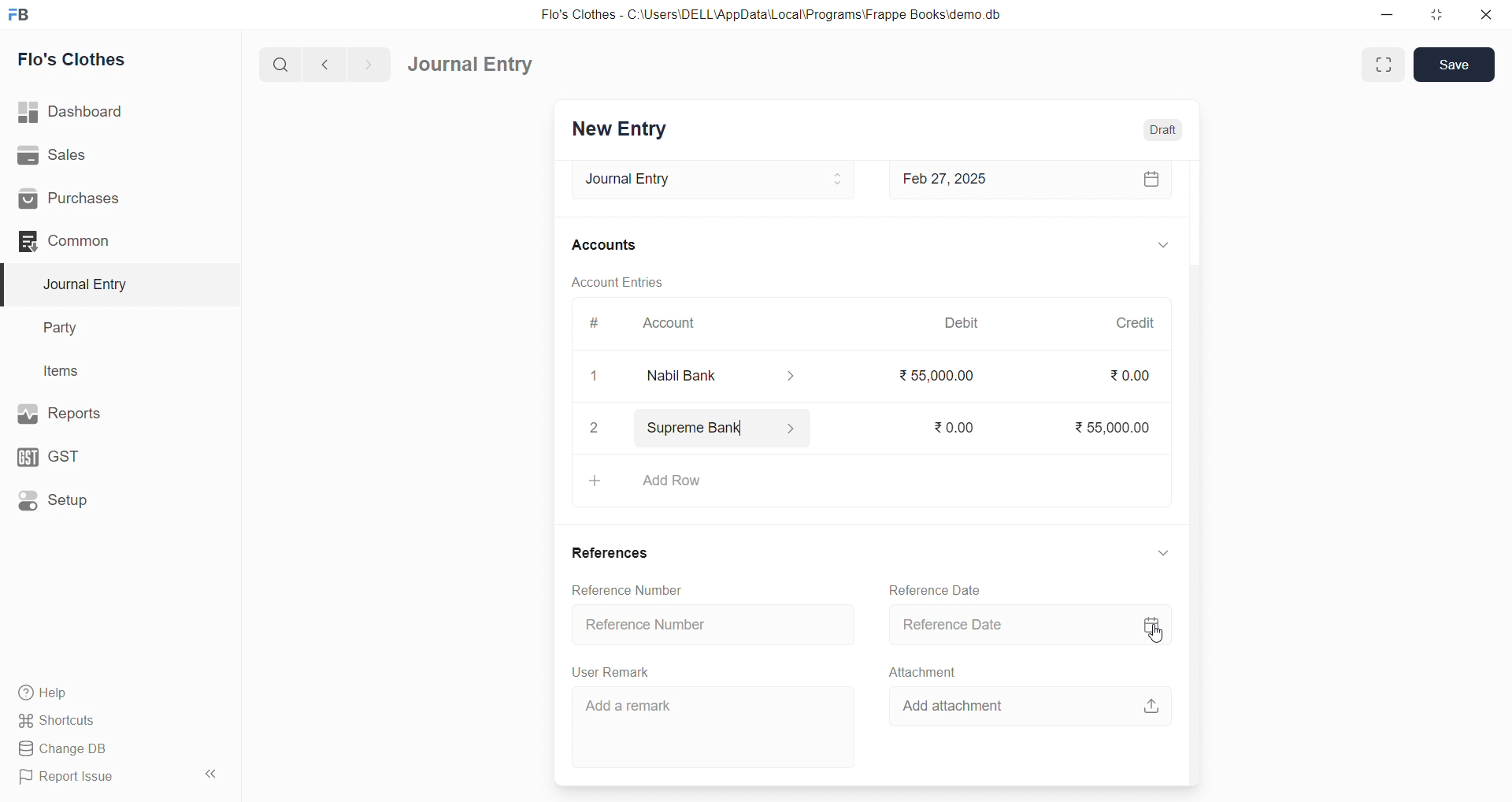 The width and height of the screenshot is (1512, 802). I want to click on Setup, so click(91, 503).